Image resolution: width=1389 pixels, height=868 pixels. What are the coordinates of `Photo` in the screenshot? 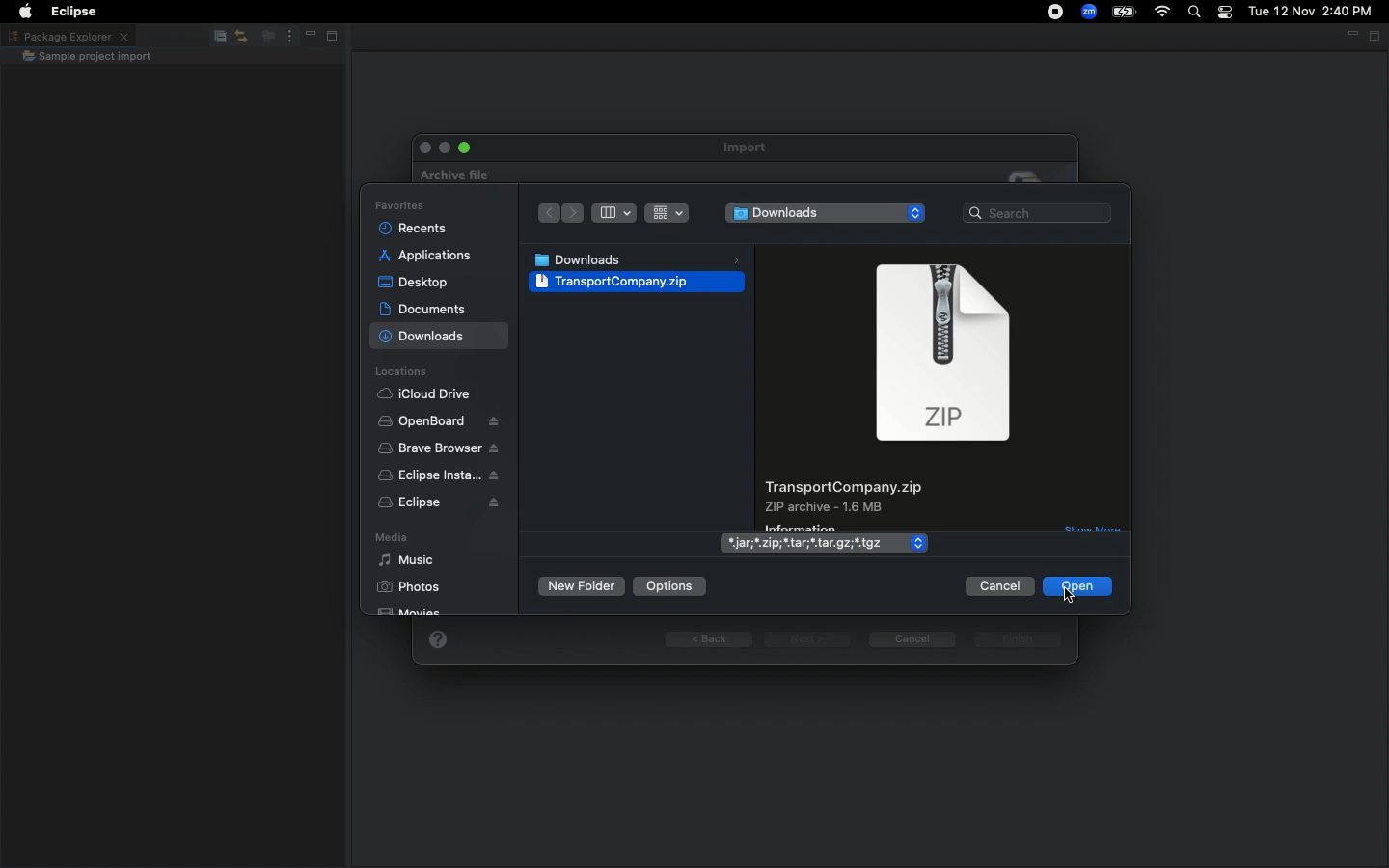 It's located at (403, 589).